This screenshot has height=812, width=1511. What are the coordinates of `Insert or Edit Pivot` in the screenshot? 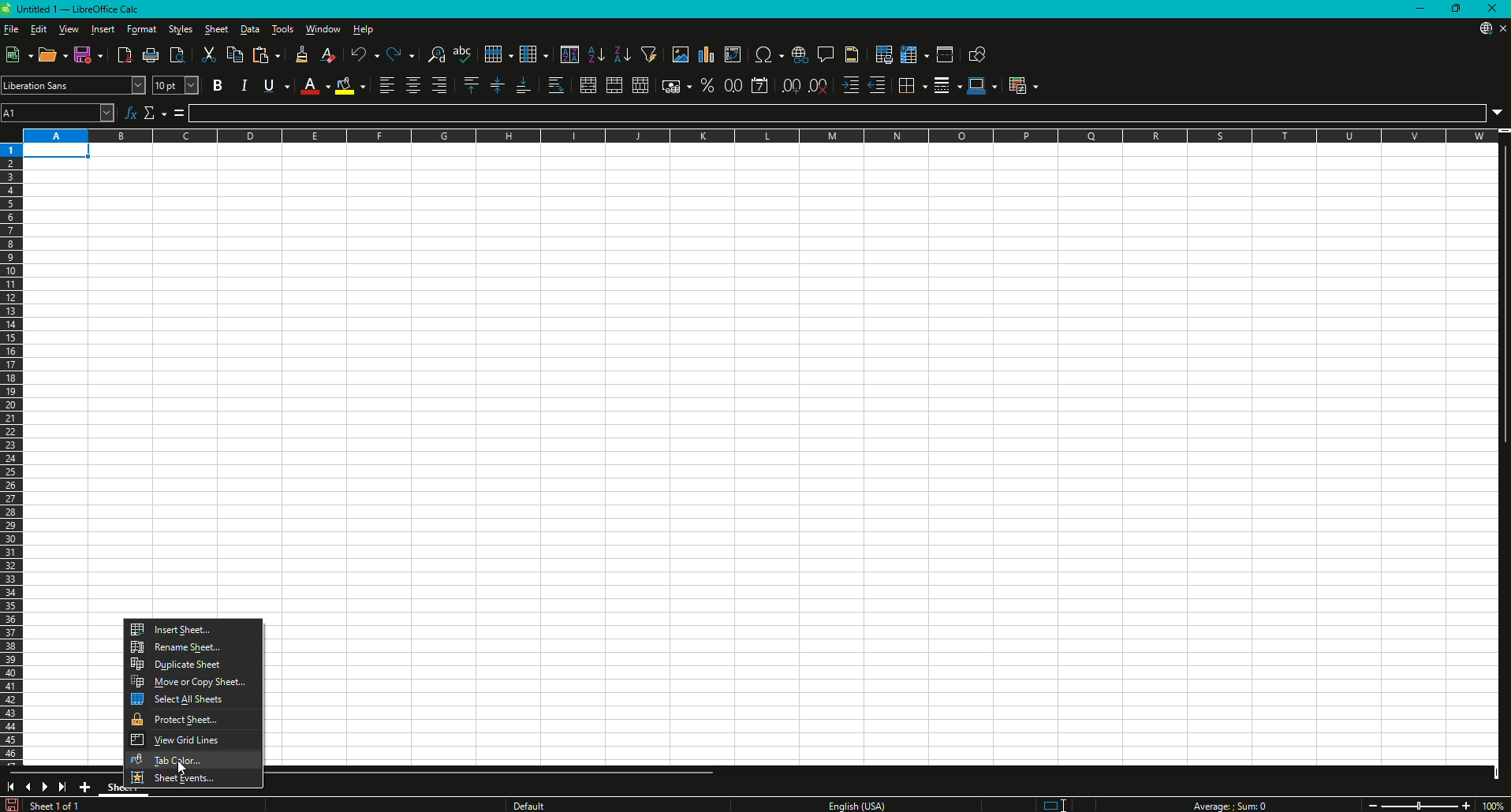 It's located at (733, 54).